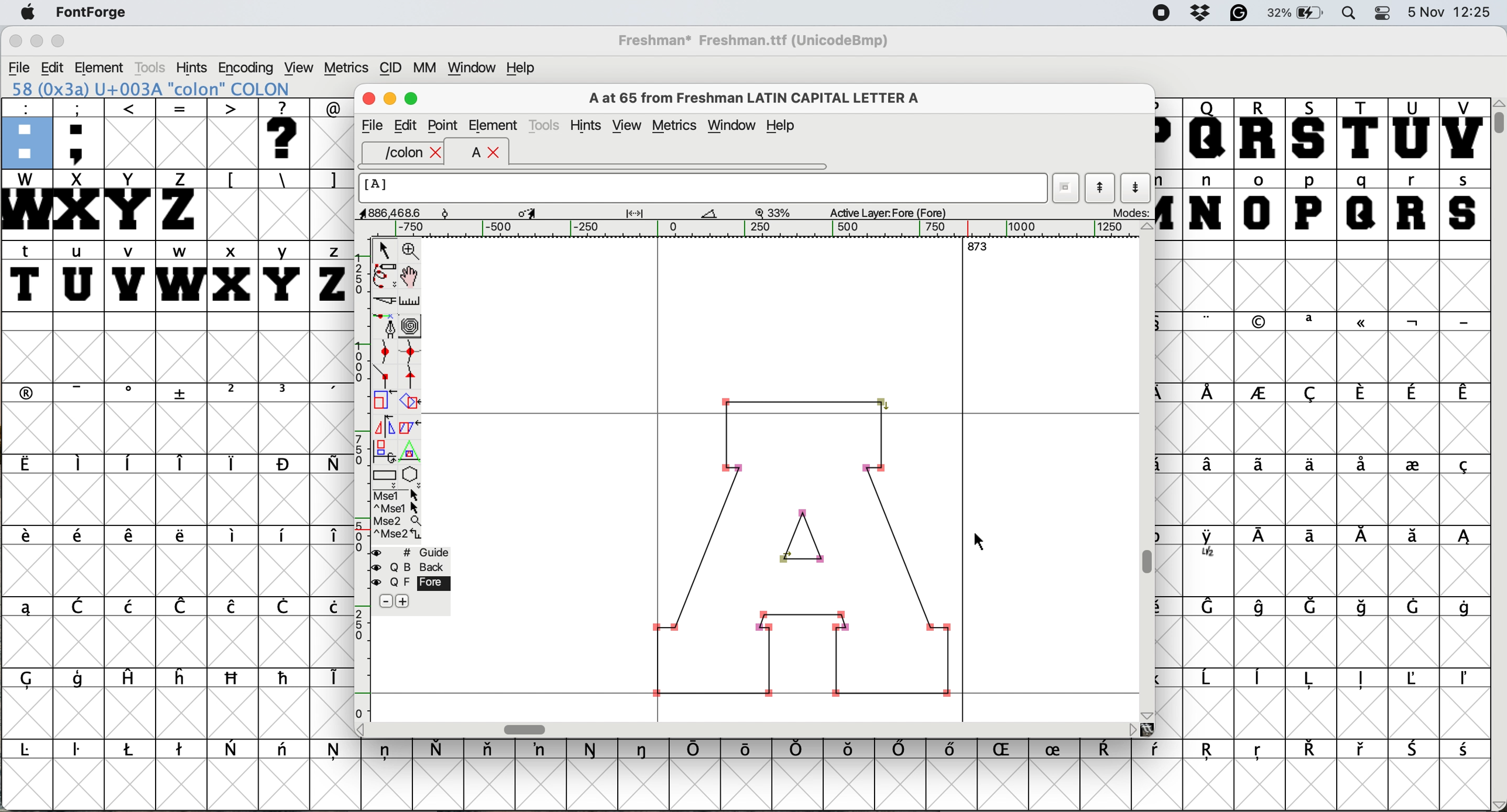 The width and height of the screenshot is (1507, 812). I want to click on symbol, so click(284, 464).